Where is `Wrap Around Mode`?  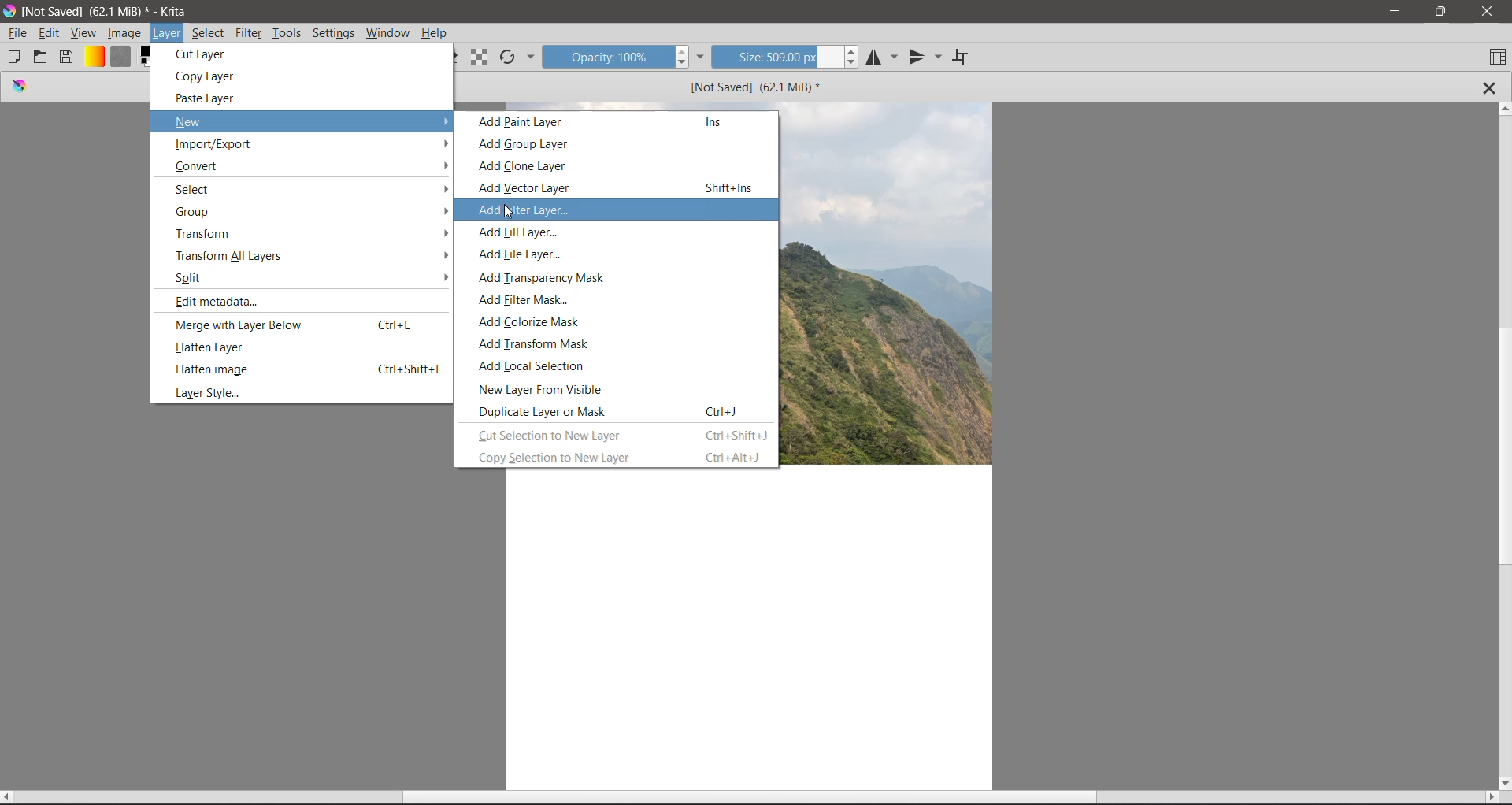 Wrap Around Mode is located at coordinates (966, 57).